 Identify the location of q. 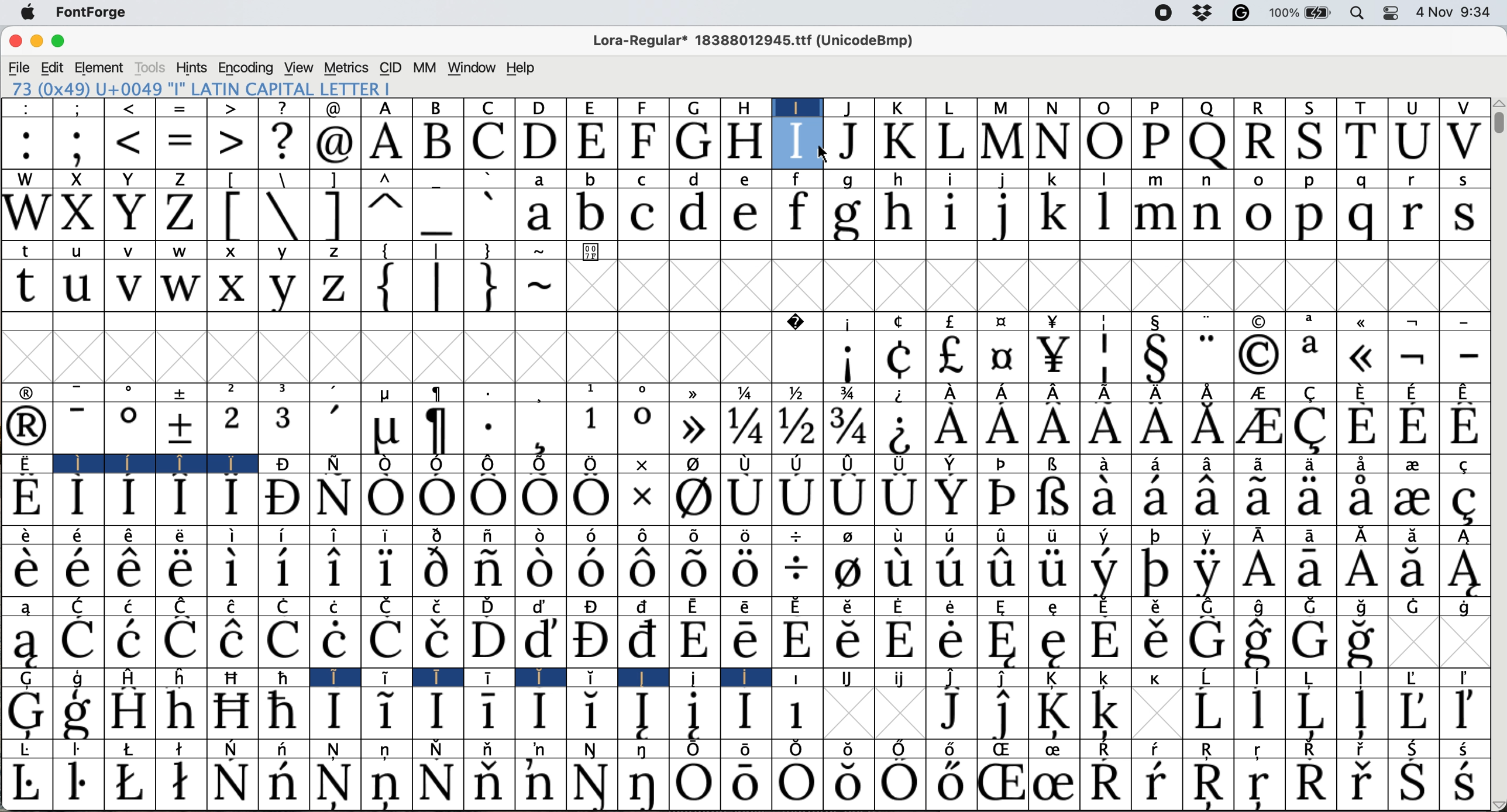
(1360, 180).